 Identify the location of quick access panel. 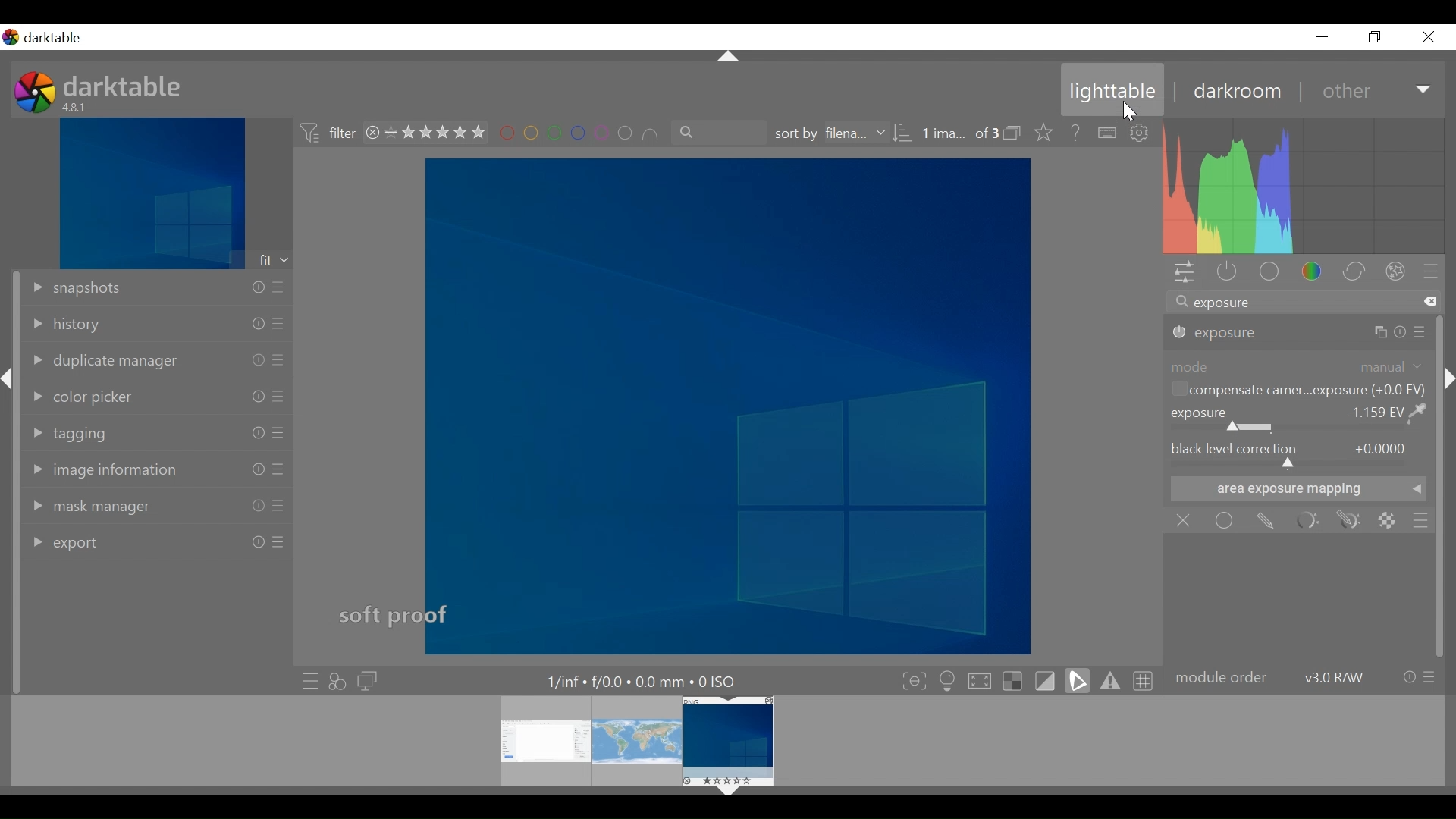
(1187, 272).